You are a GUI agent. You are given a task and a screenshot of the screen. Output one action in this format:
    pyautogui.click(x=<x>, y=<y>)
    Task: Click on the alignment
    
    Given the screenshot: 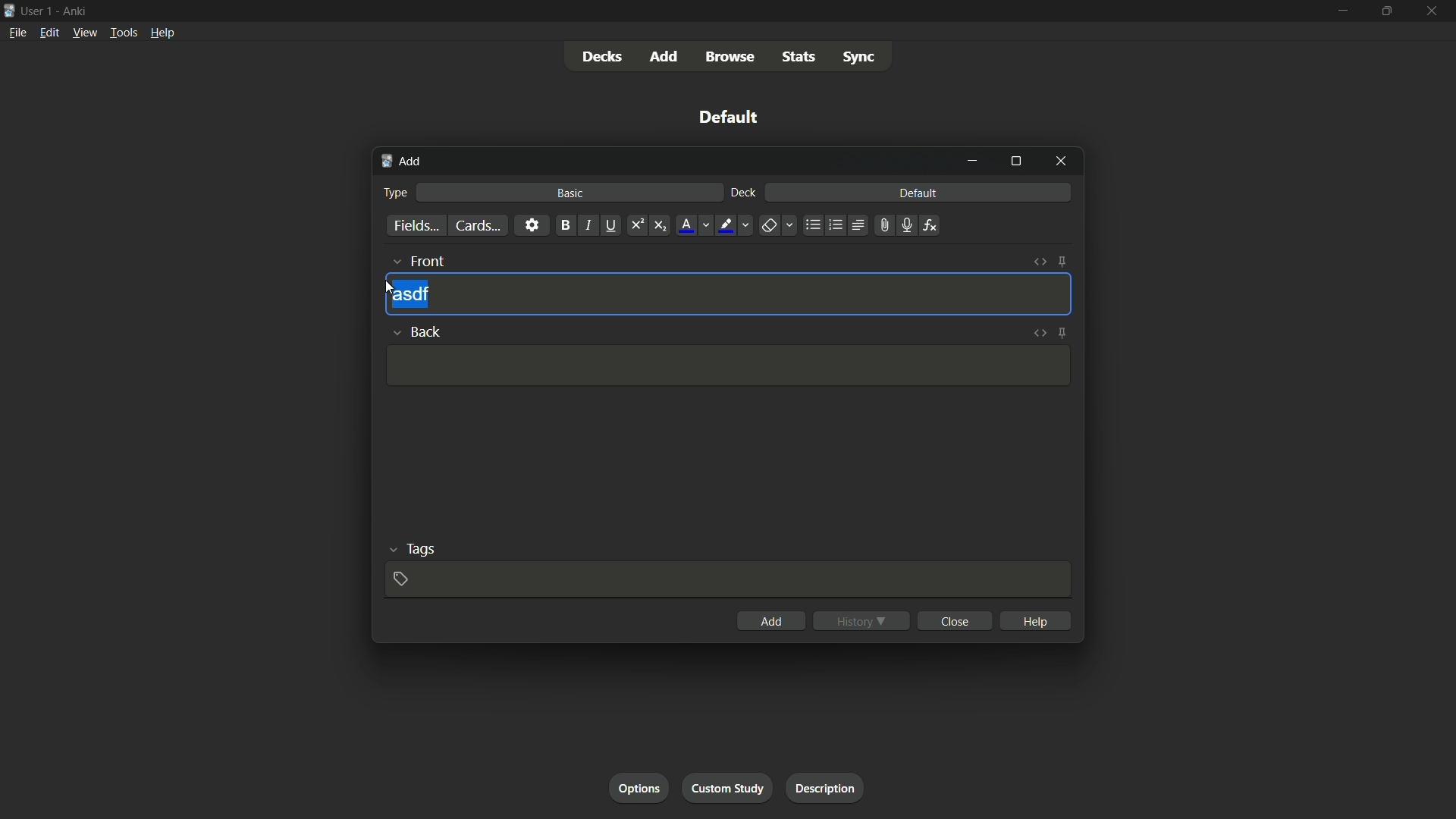 What is the action you would take?
    pyautogui.click(x=859, y=224)
    